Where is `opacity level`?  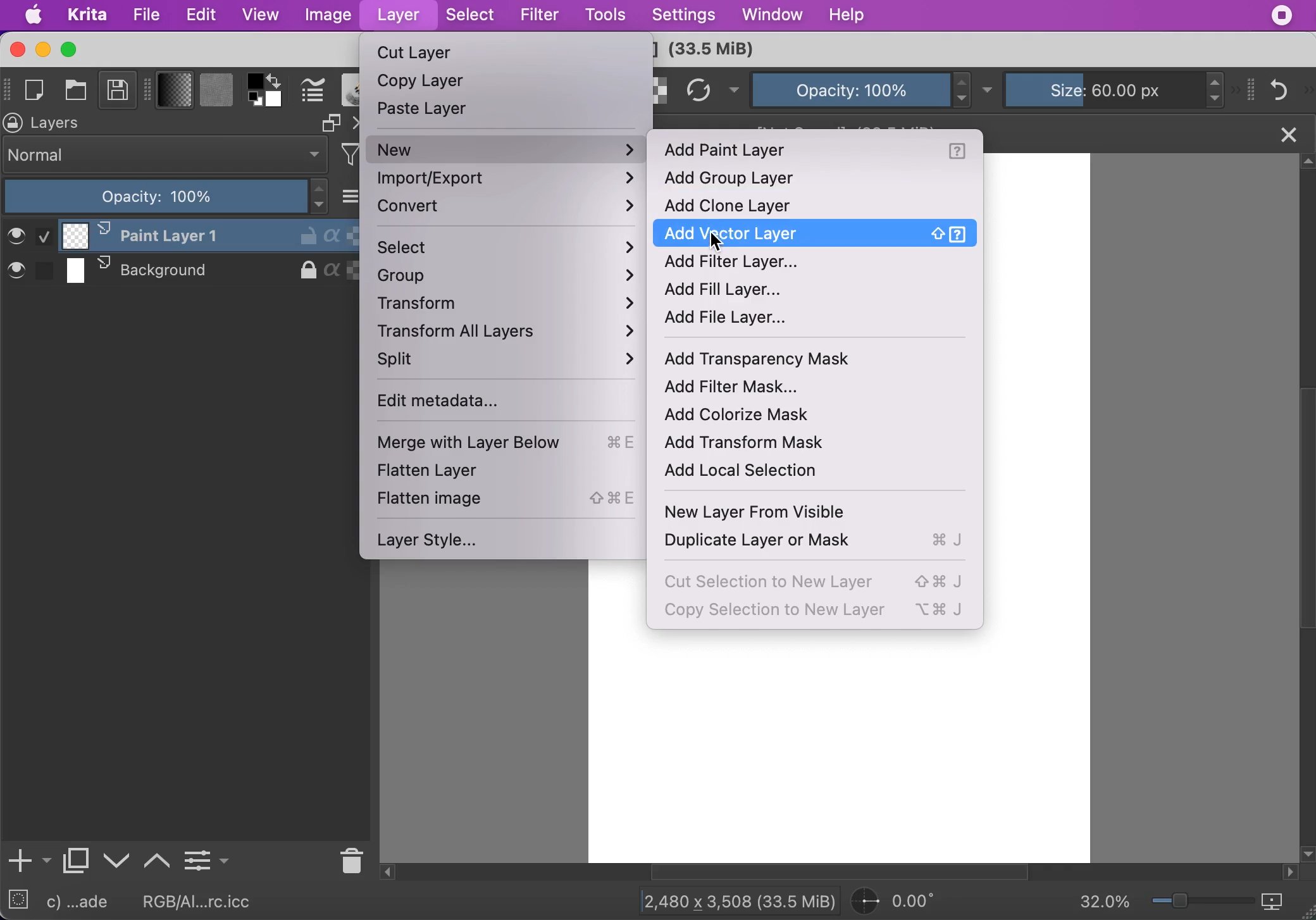
opacity level is located at coordinates (167, 197).